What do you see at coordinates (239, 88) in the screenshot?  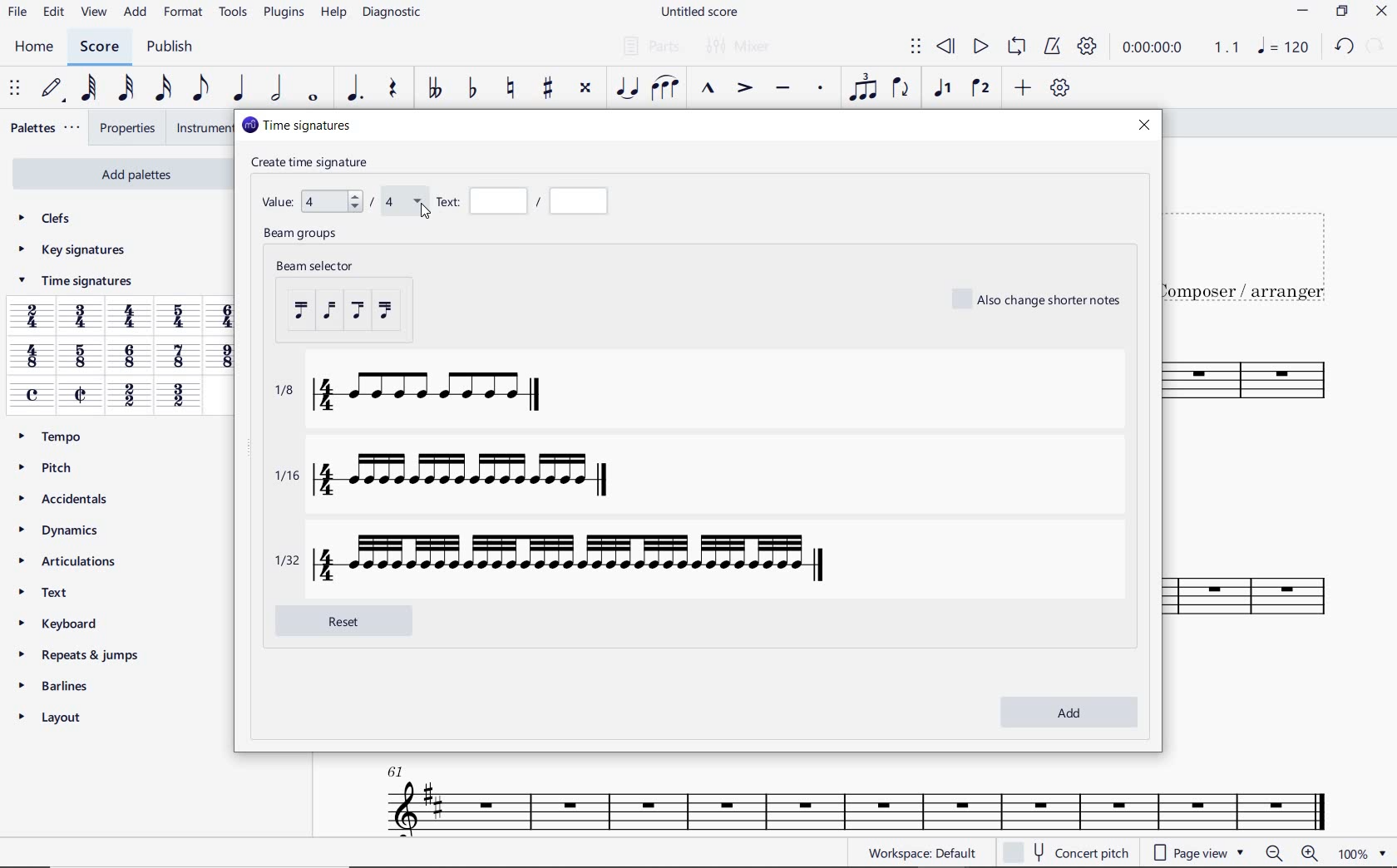 I see `QUARTER NOTE` at bounding box center [239, 88].